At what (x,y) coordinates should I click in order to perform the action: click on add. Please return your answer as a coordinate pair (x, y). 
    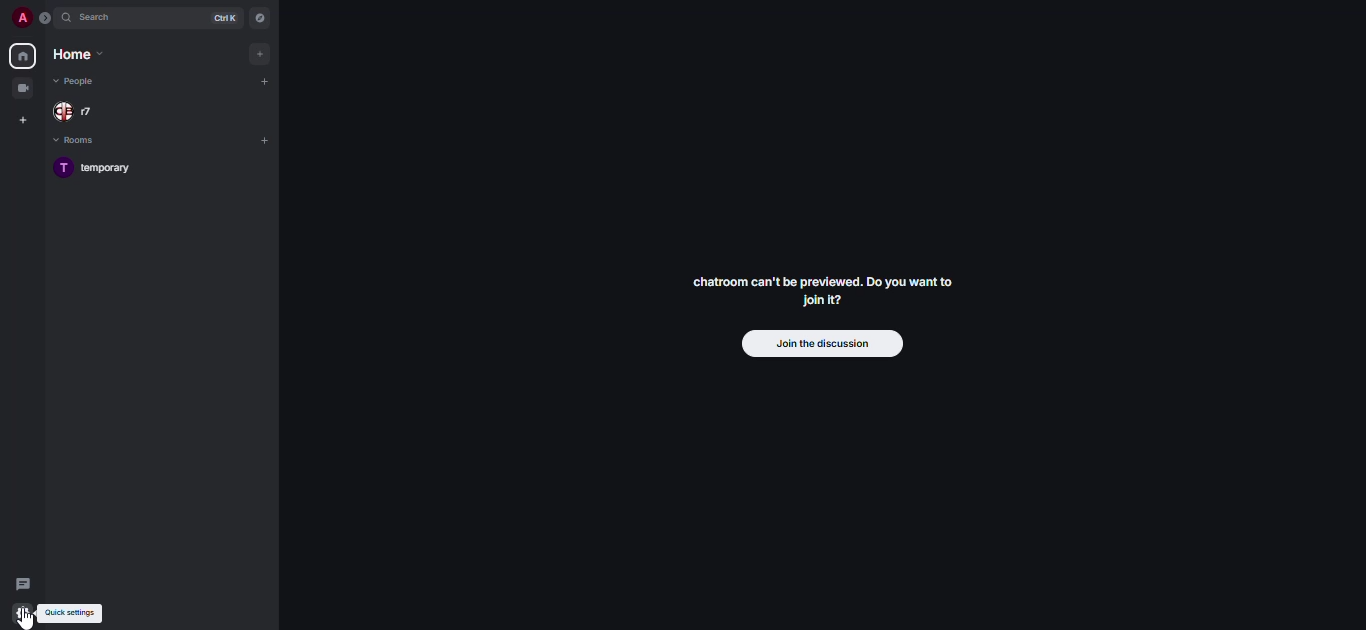
    Looking at the image, I should click on (260, 54).